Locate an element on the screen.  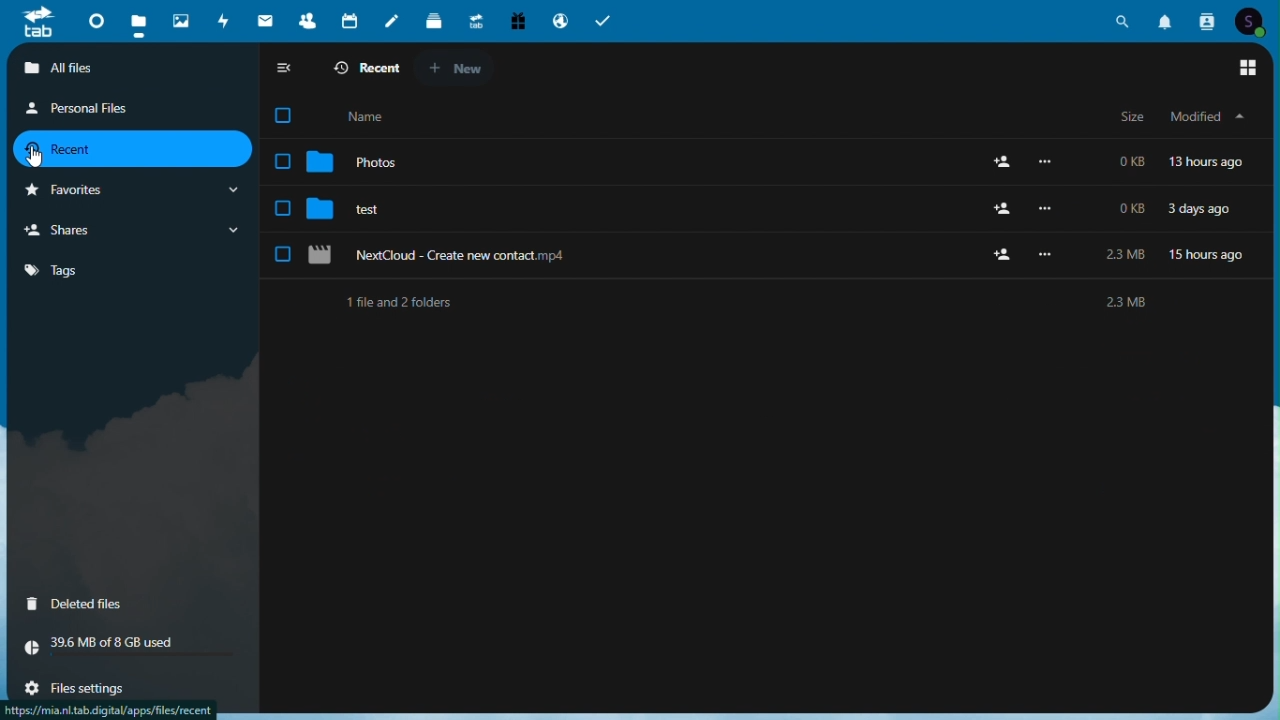
contacts is located at coordinates (302, 17).